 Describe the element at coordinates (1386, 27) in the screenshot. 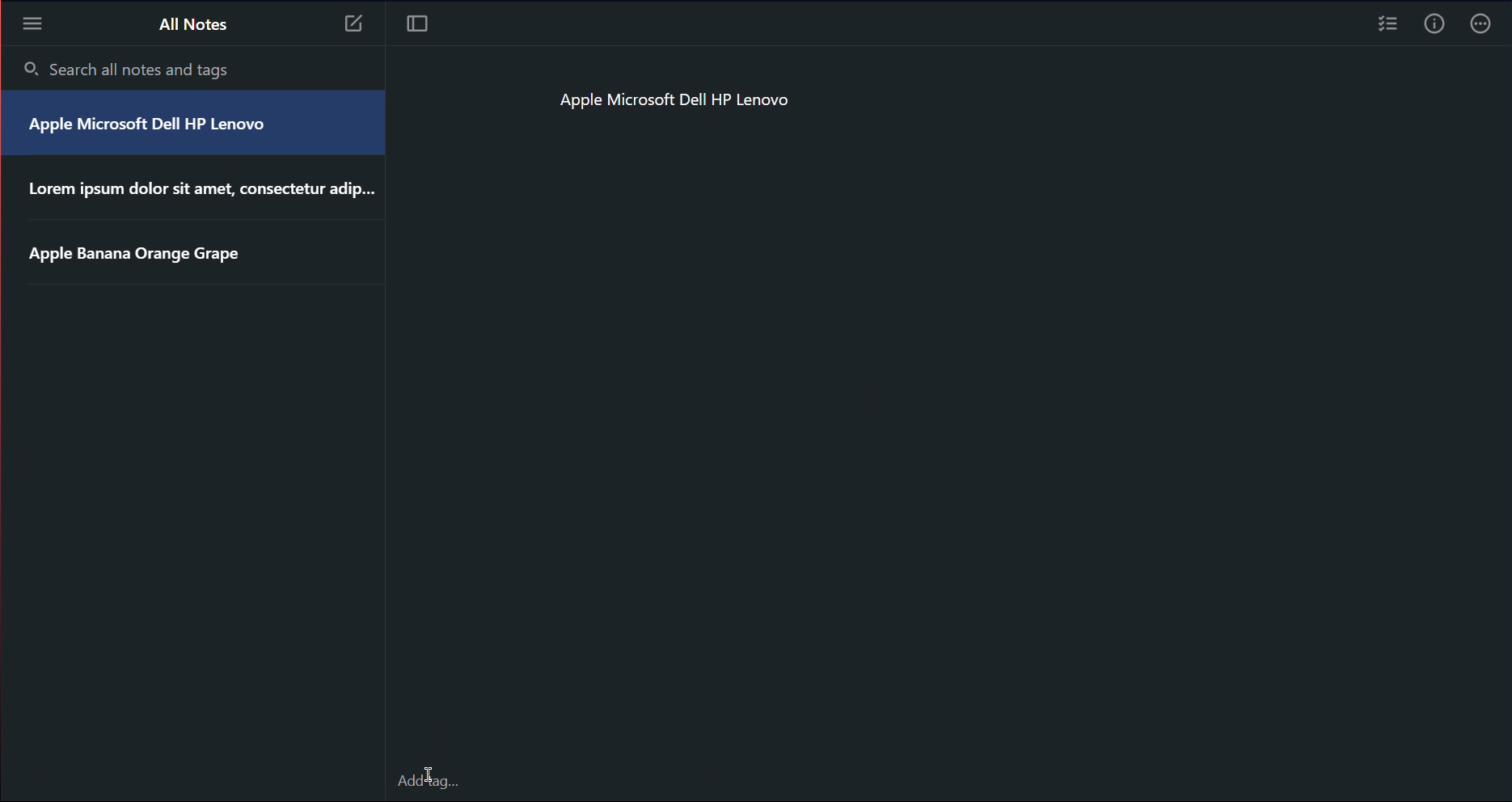

I see `Checklist` at that location.